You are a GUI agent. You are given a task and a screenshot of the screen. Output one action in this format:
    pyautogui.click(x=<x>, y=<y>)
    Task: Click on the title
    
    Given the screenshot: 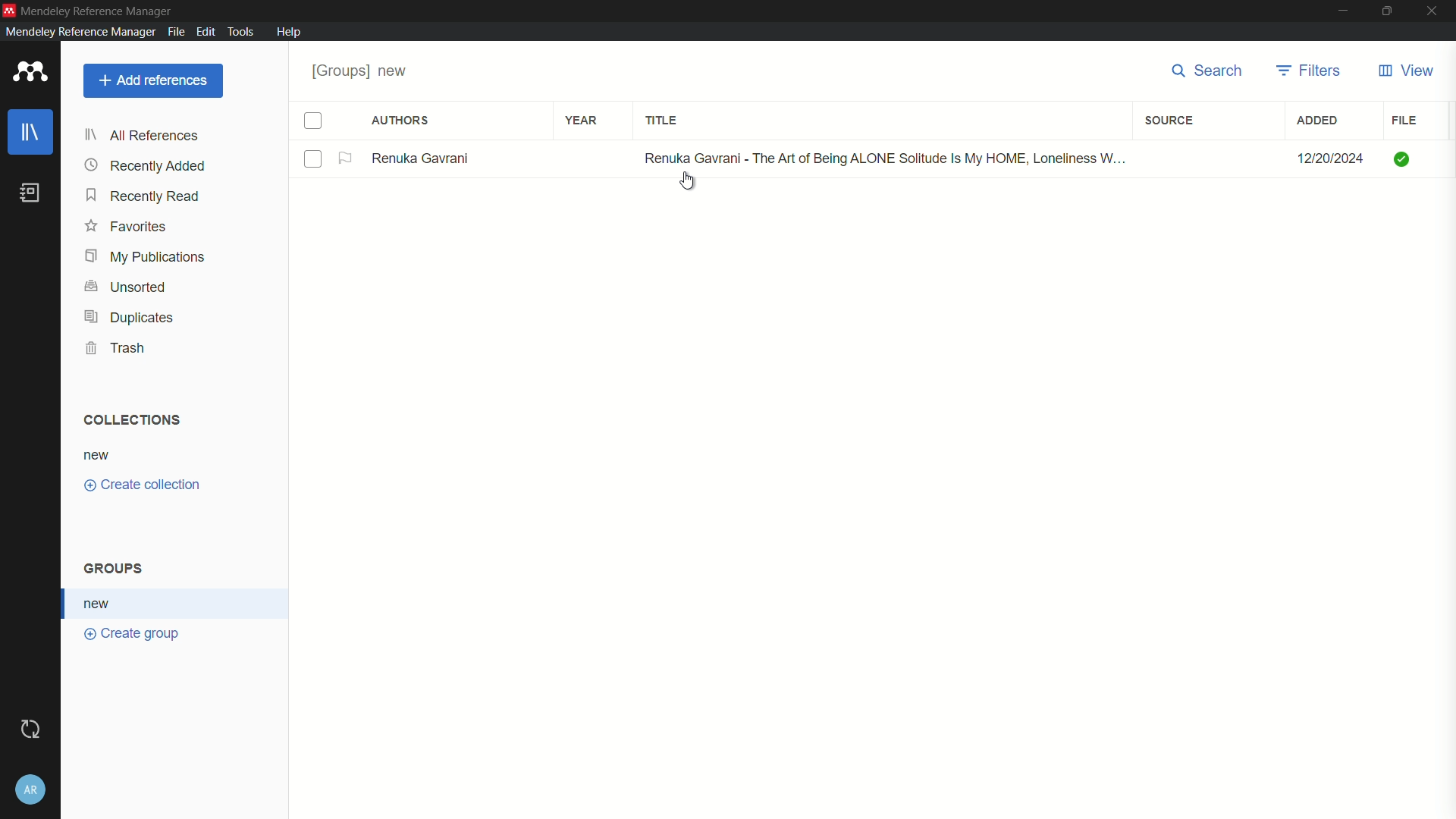 What is the action you would take?
    pyautogui.click(x=664, y=121)
    